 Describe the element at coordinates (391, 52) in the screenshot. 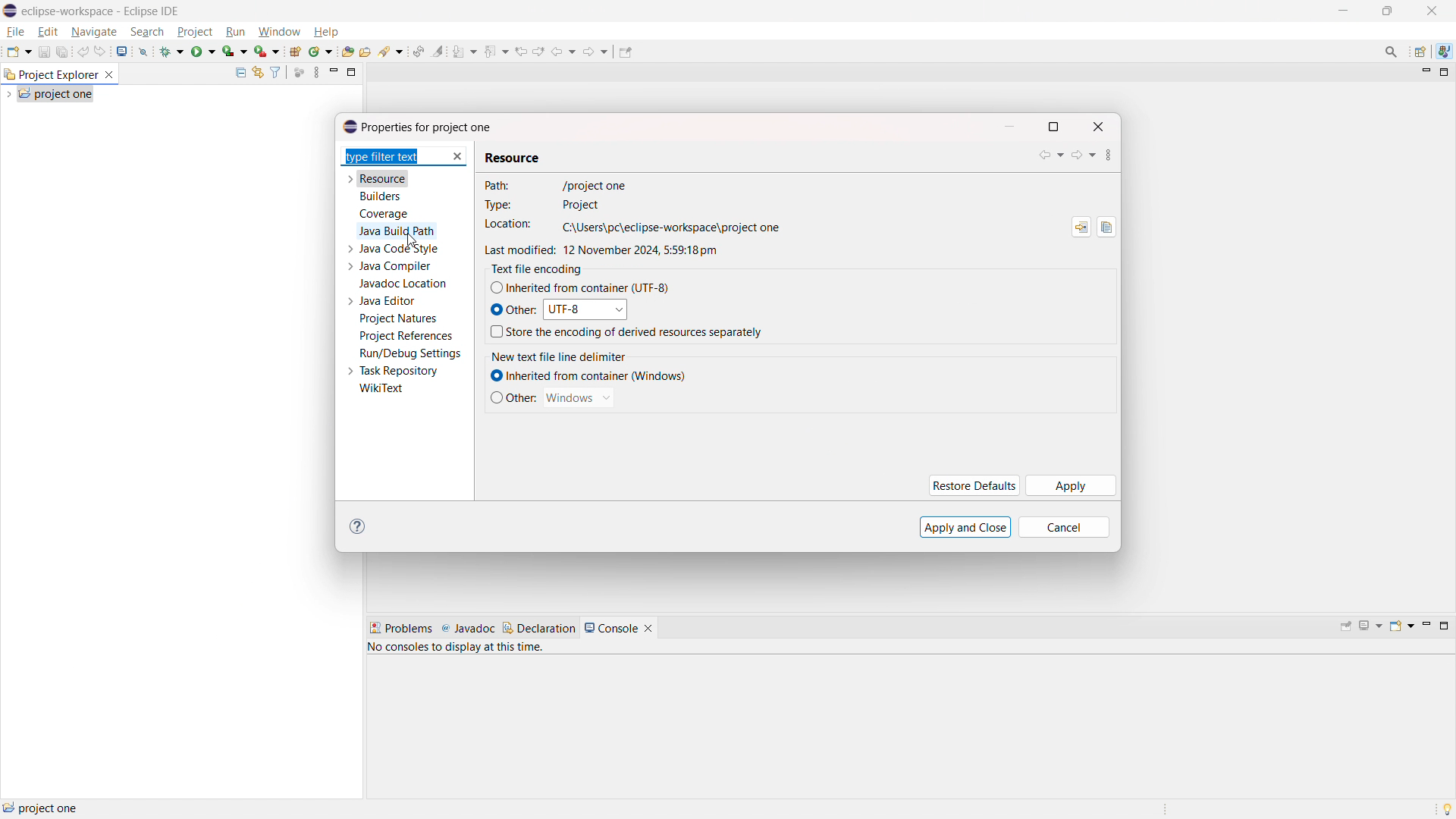

I see `search` at that location.